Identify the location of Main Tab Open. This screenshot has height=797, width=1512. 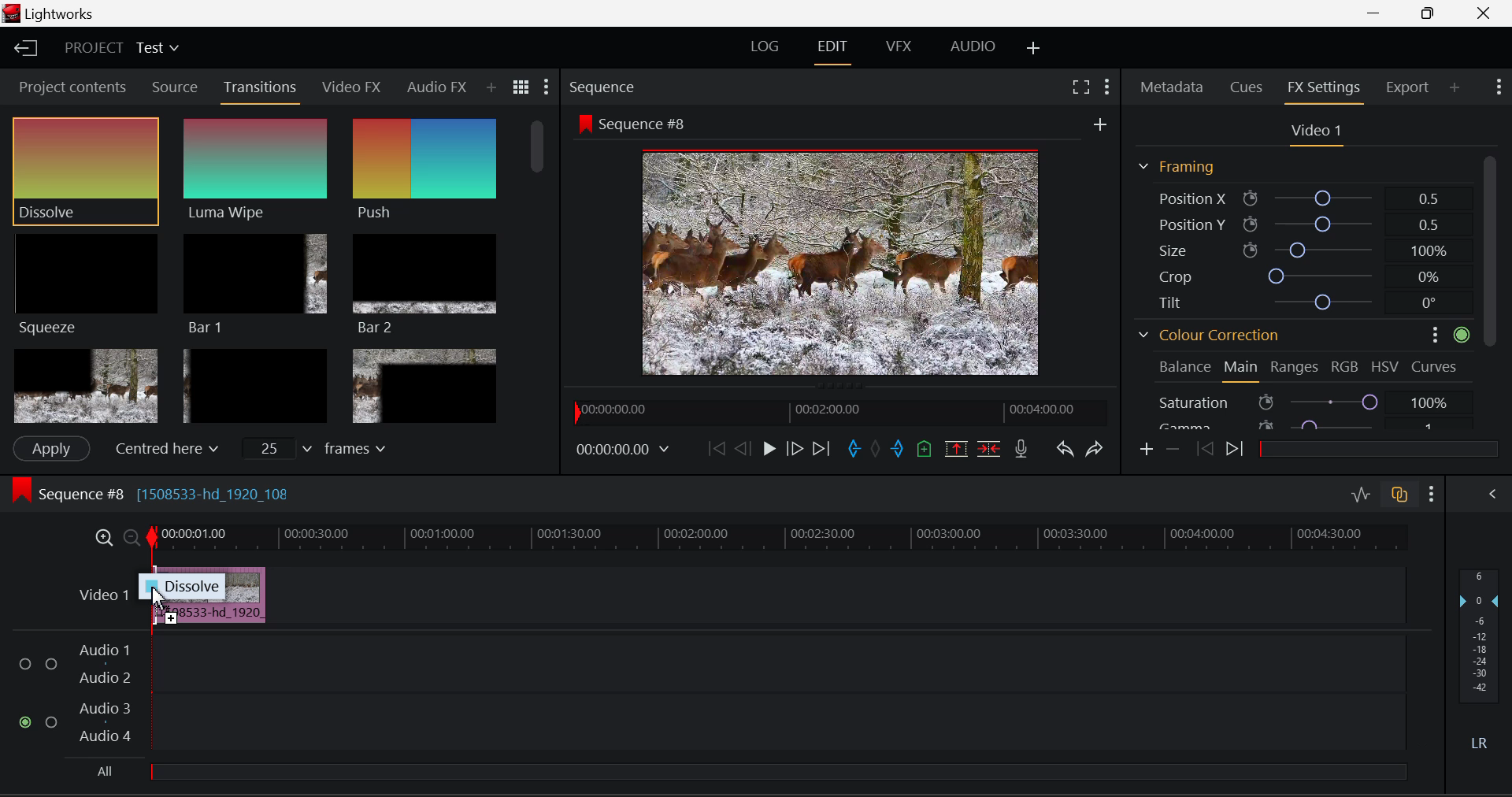
(1242, 370).